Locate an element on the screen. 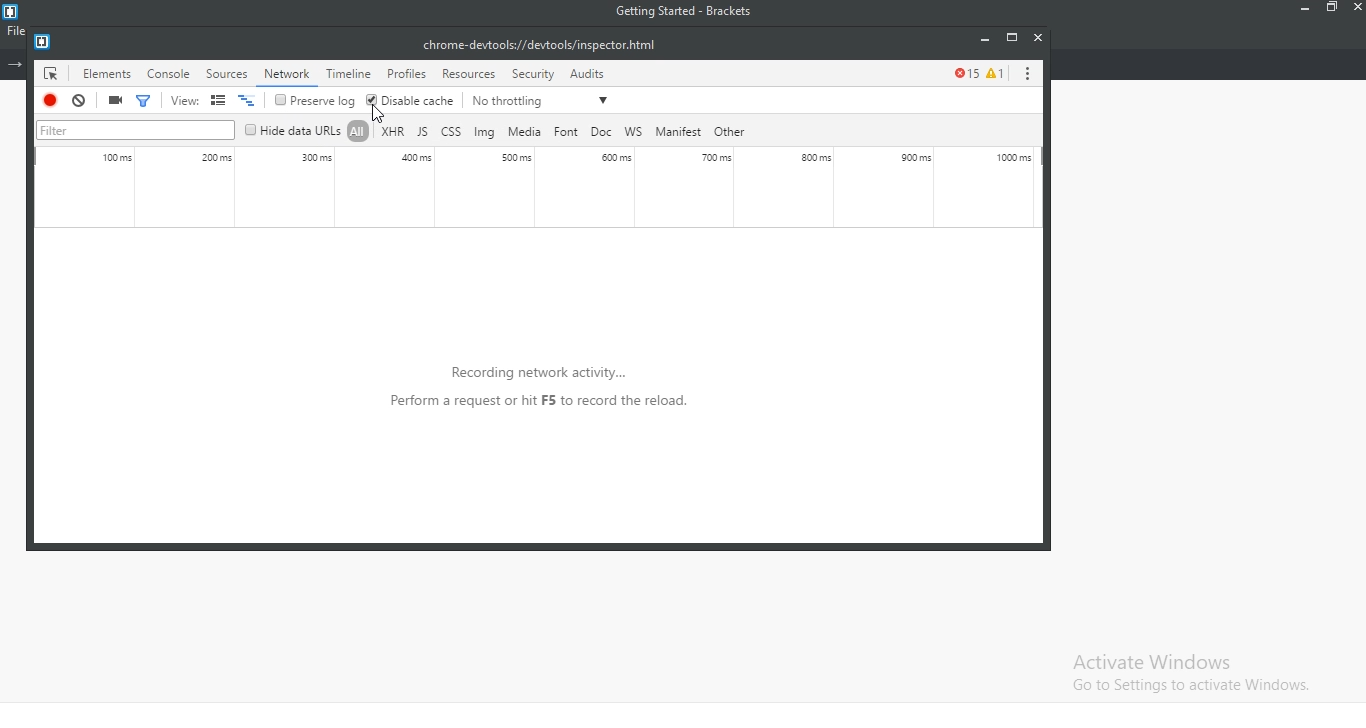  options is located at coordinates (1026, 72).